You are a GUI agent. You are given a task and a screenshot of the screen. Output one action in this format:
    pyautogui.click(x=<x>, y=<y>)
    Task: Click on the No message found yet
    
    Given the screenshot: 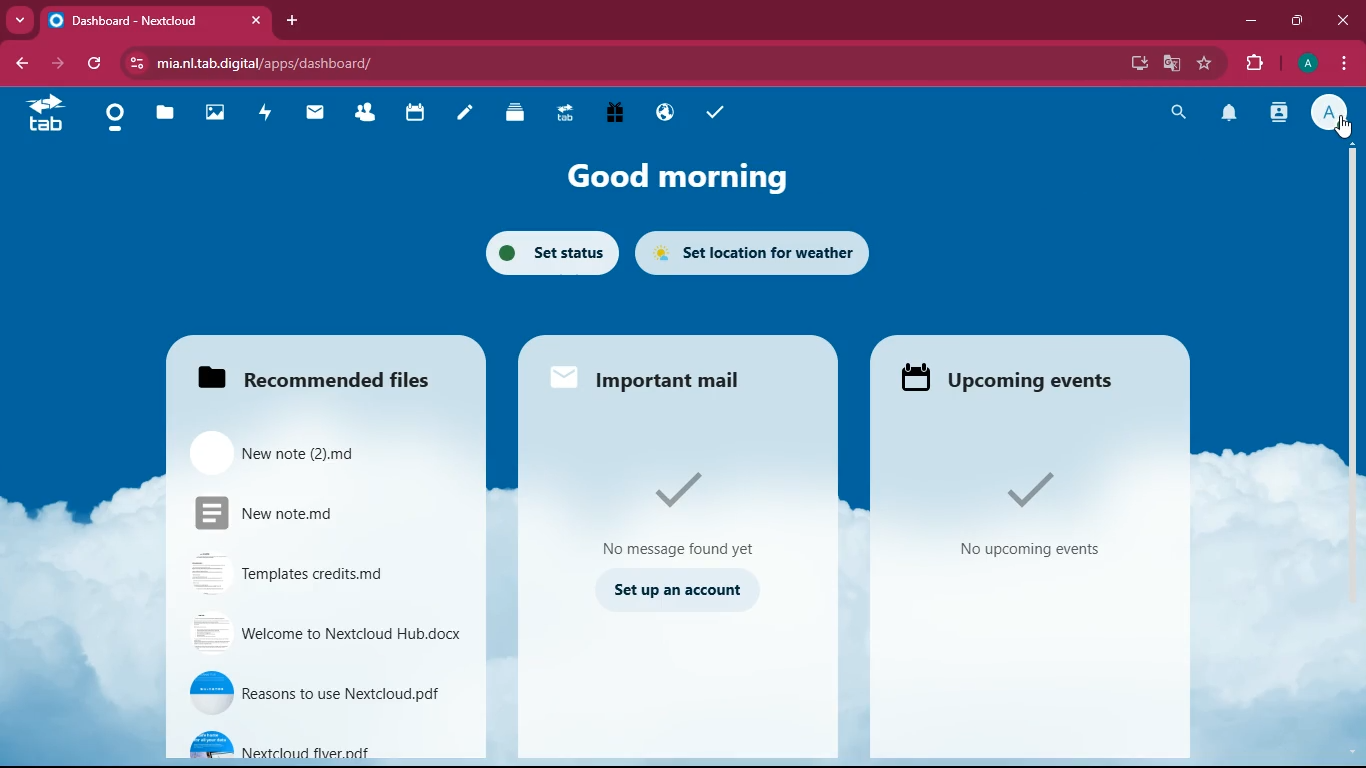 What is the action you would take?
    pyautogui.click(x=678, y=550)
    